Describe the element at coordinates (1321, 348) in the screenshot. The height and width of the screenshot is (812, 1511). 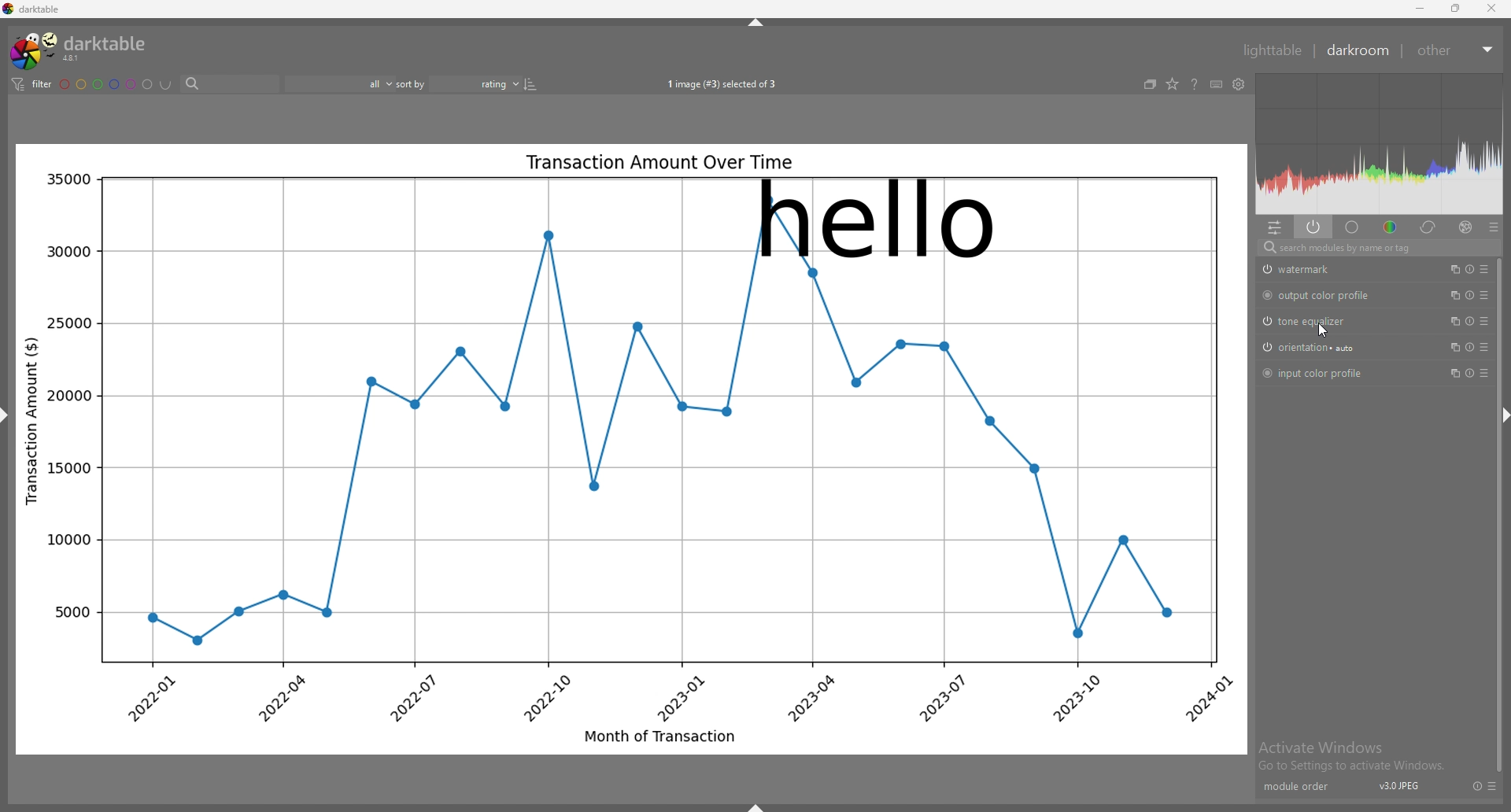
I see `orientation` at that location.